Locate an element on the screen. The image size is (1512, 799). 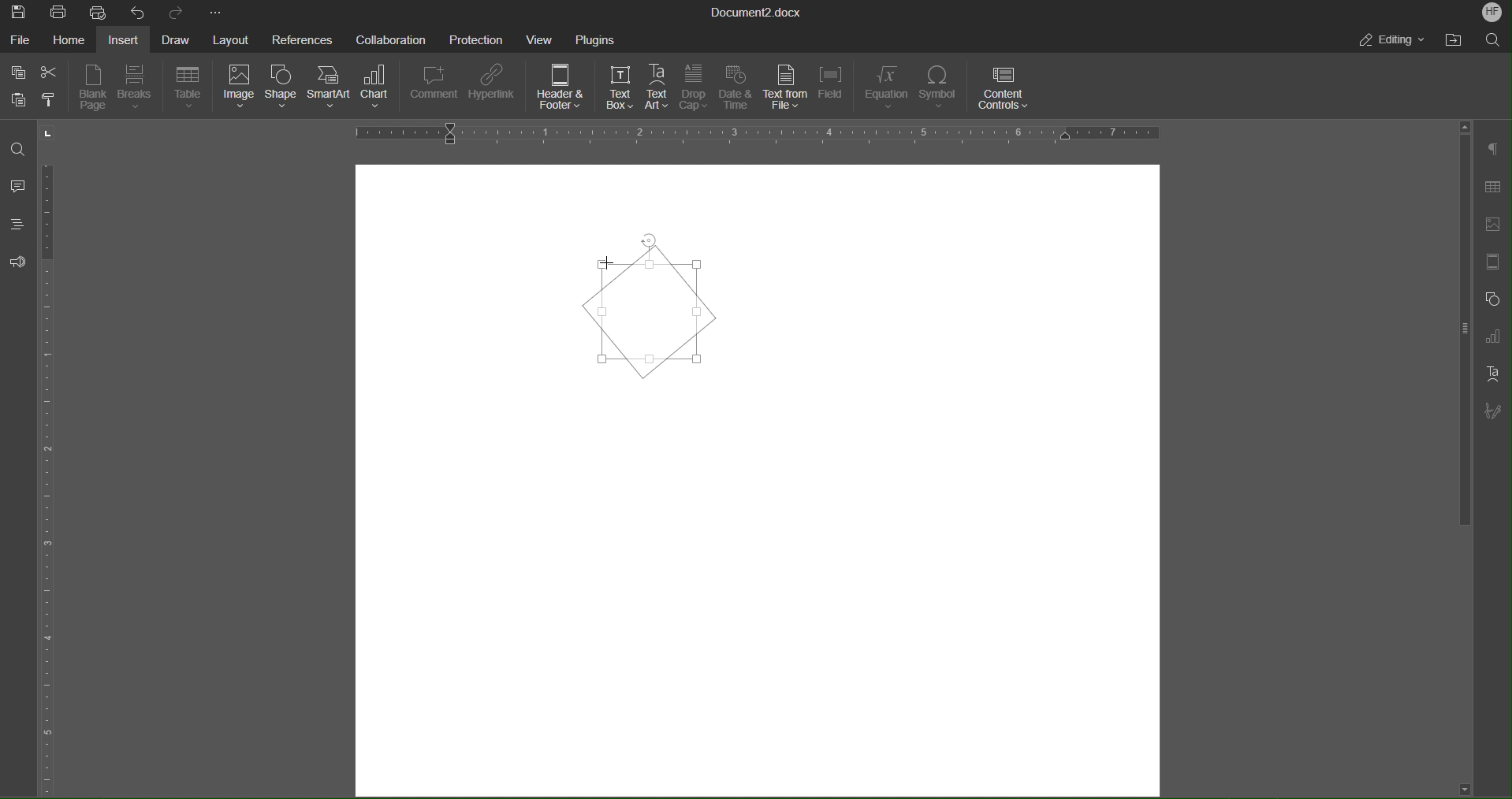
Text Art is located at coordinates (659, 87).